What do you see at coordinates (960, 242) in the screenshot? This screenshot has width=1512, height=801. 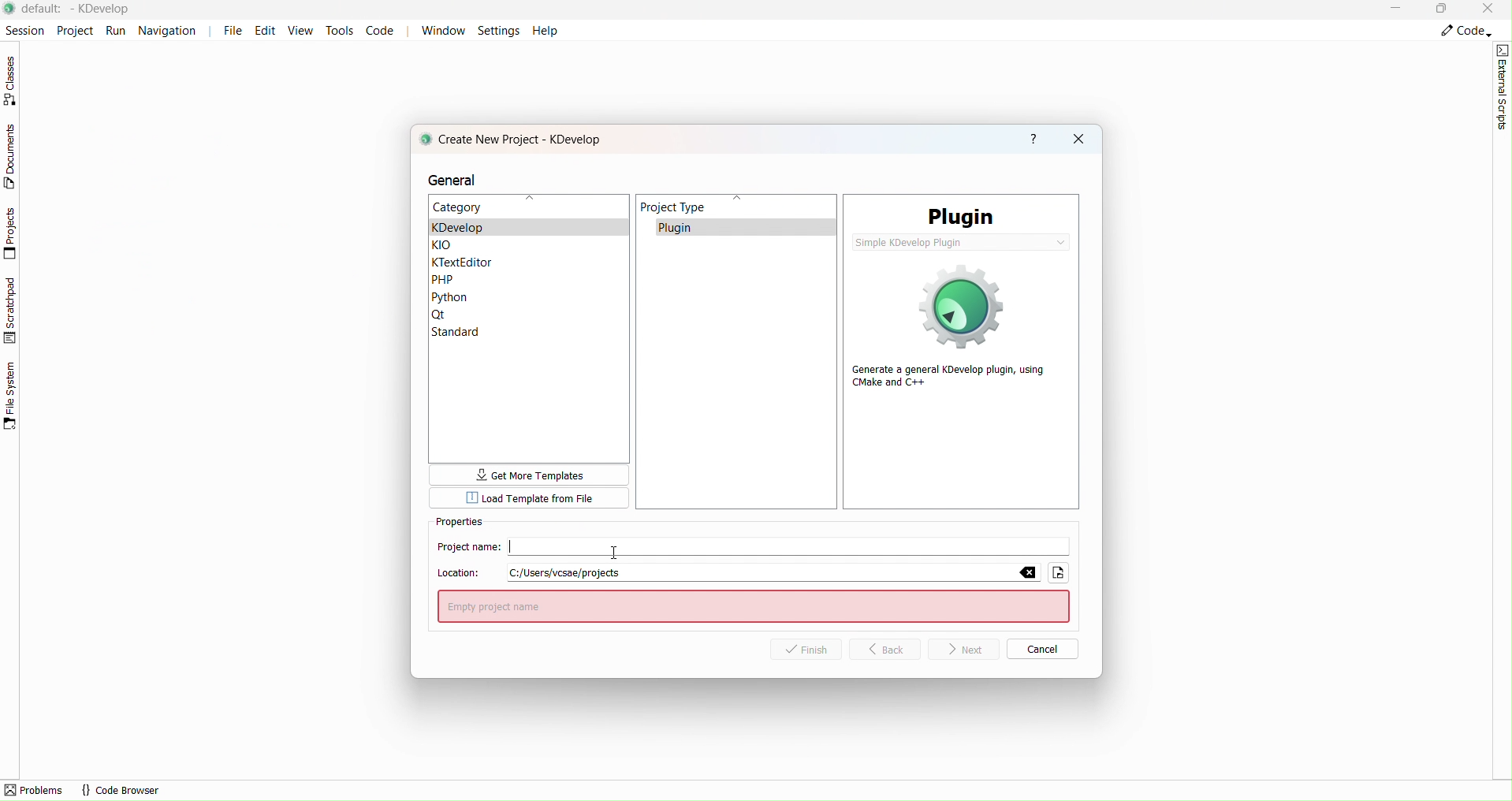 I see `simple KDevelop plugin` at bounding box center [960, 242].